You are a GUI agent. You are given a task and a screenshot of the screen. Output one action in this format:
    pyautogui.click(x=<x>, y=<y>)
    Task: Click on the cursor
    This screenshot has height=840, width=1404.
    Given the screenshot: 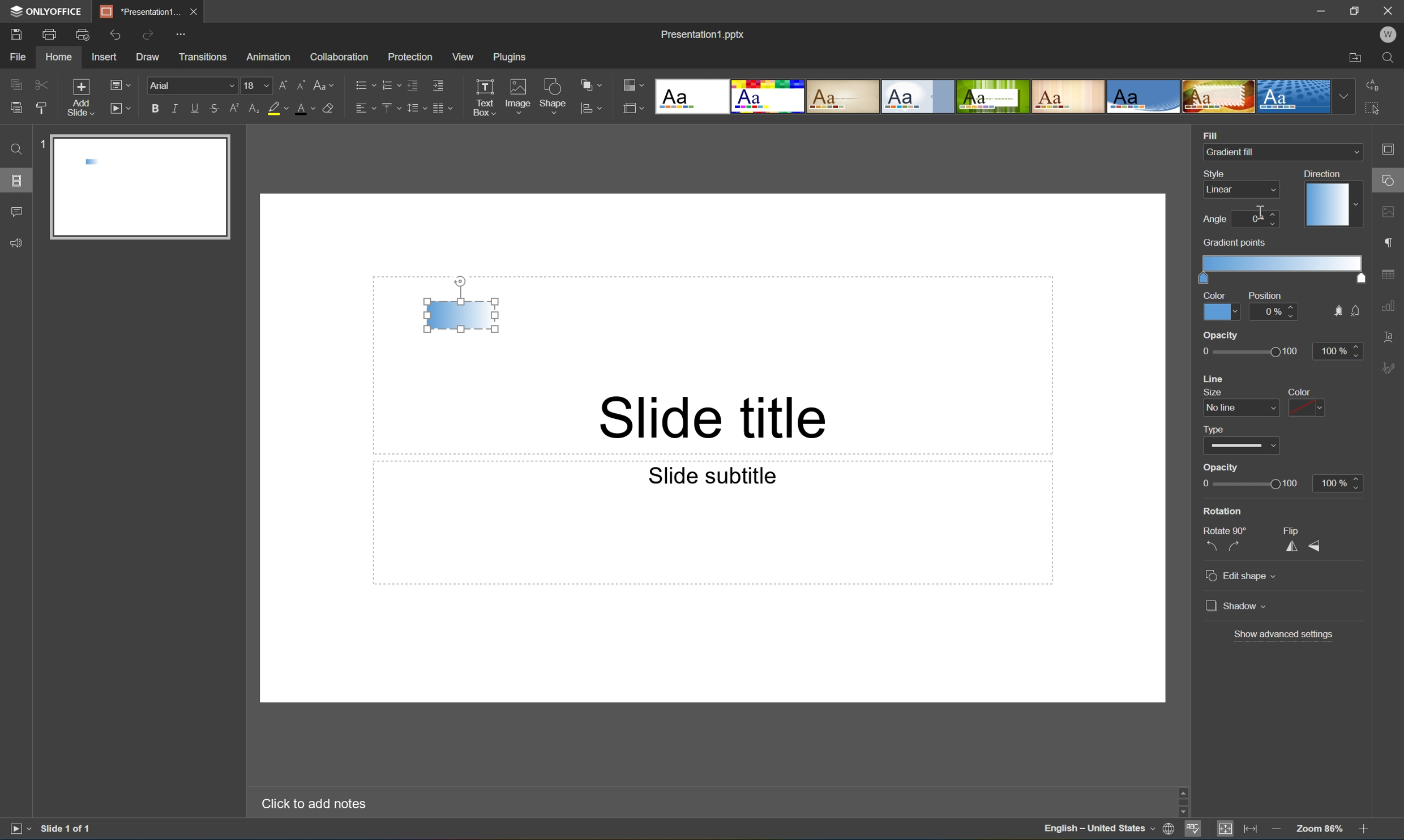 What is the action you would take?
    pyautogui.click(x=1259, y=212)
    